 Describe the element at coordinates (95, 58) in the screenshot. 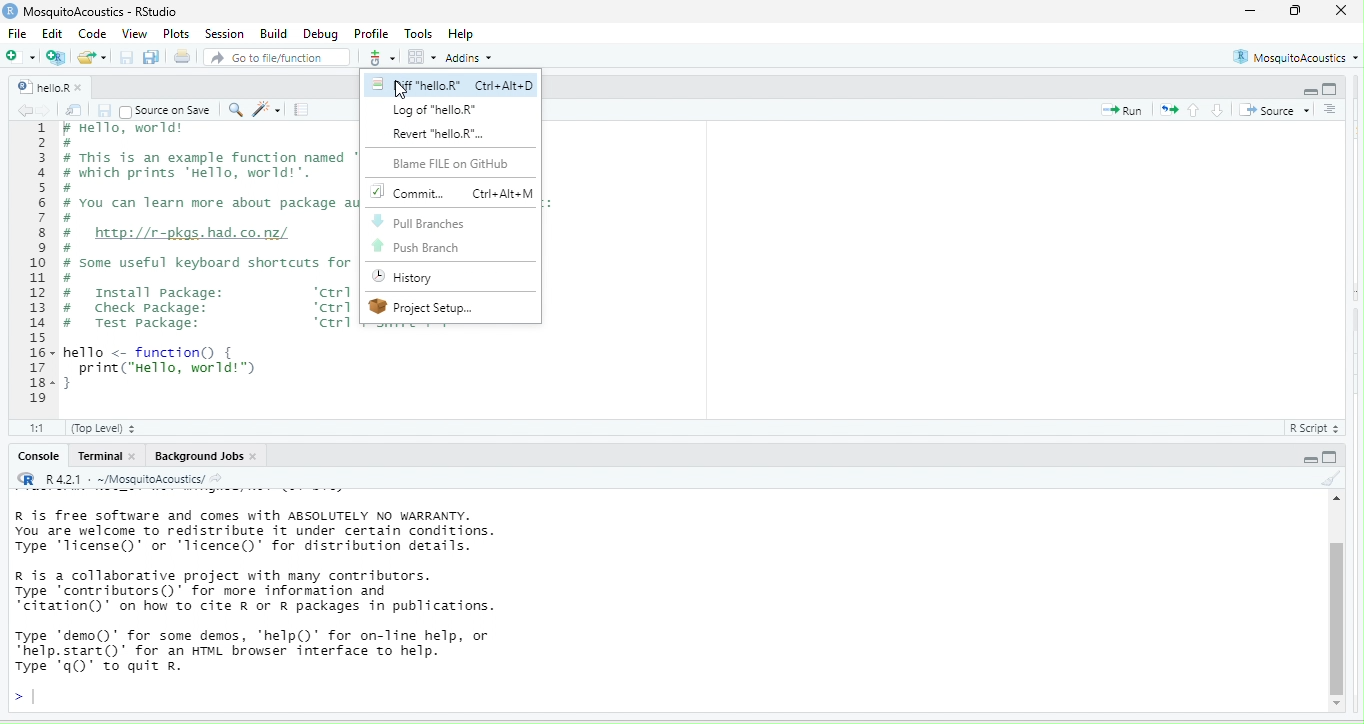

I see `open an existing file` at that location.